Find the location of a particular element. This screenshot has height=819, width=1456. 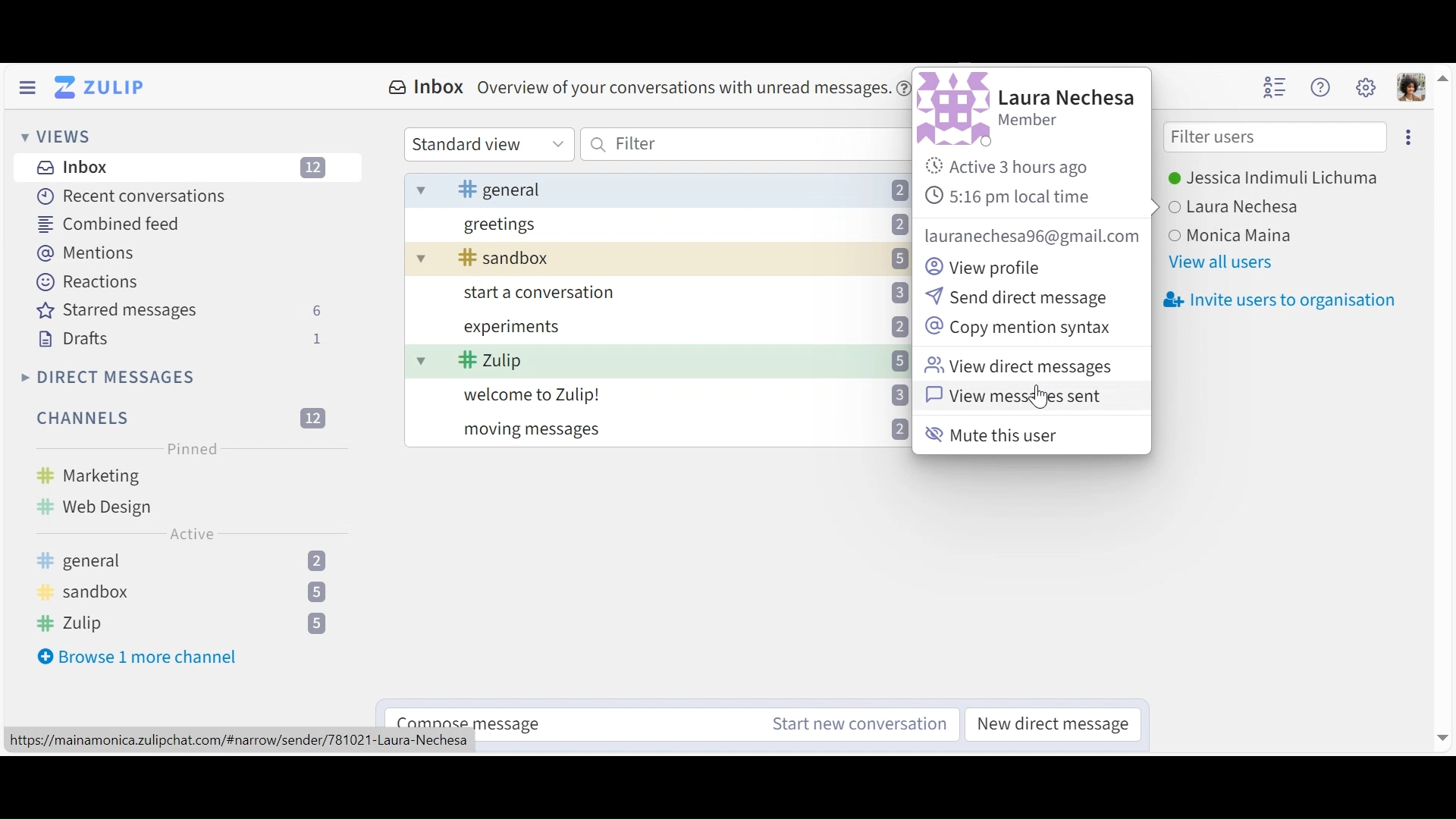

- Zulip is located at coordinates (686, 362).